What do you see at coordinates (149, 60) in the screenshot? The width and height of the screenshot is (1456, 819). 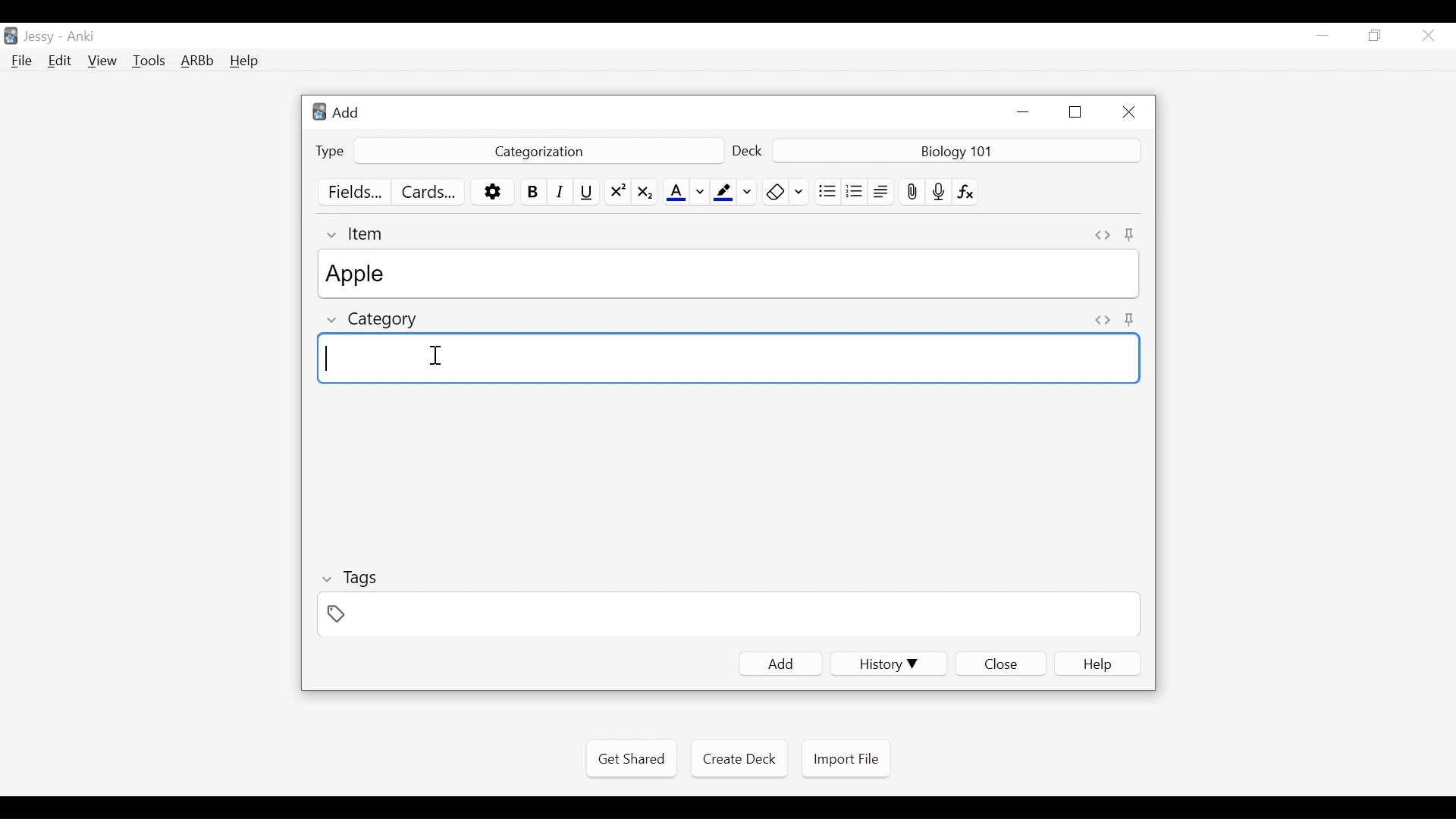 I see `Tools` at bounding box center [149, 60].